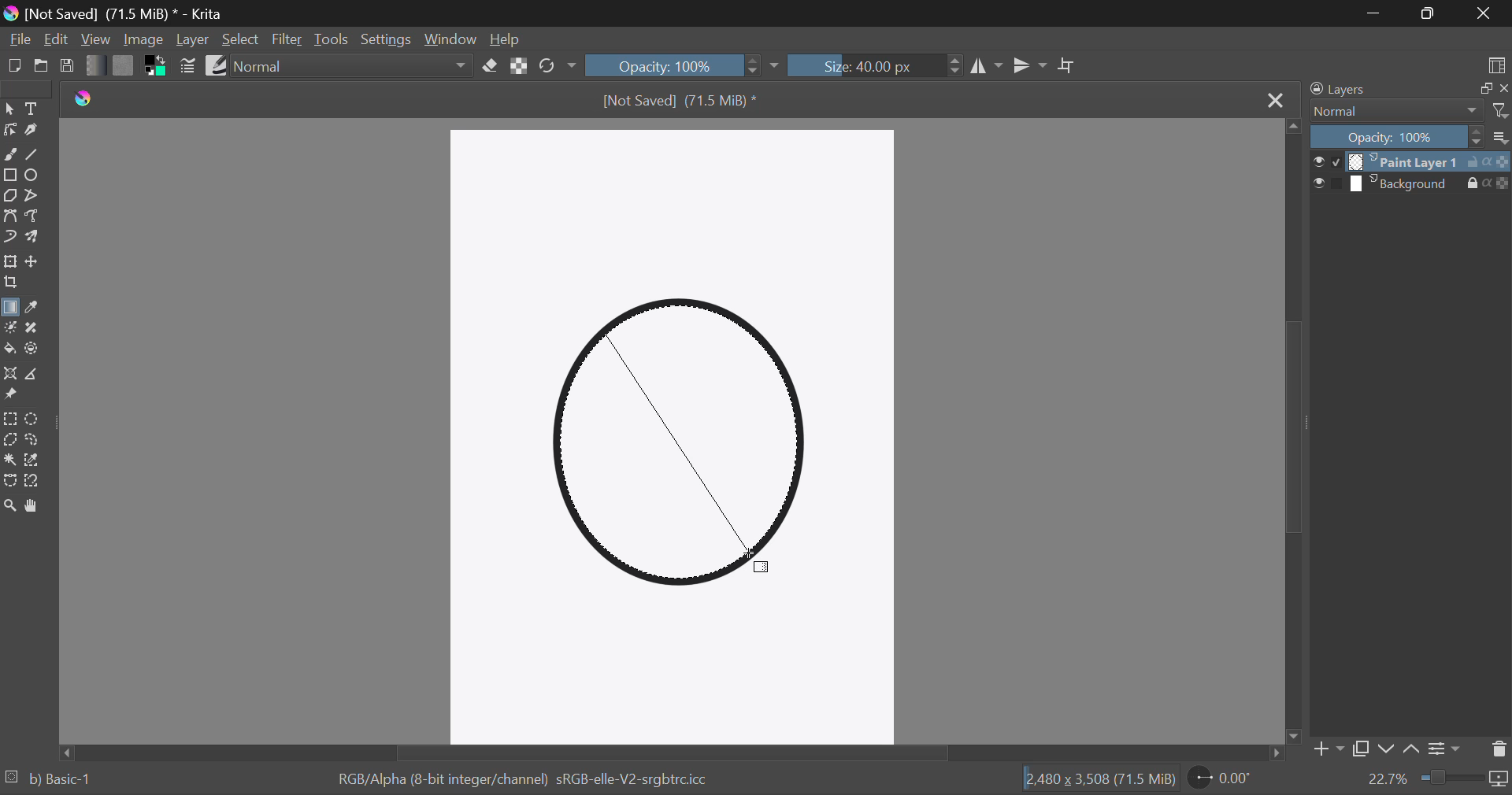 The image size is (1512, 795). What do you see at coordinates (1499, 111) in the screenshot?
I see `filter` at bounding box center [1499, 111].